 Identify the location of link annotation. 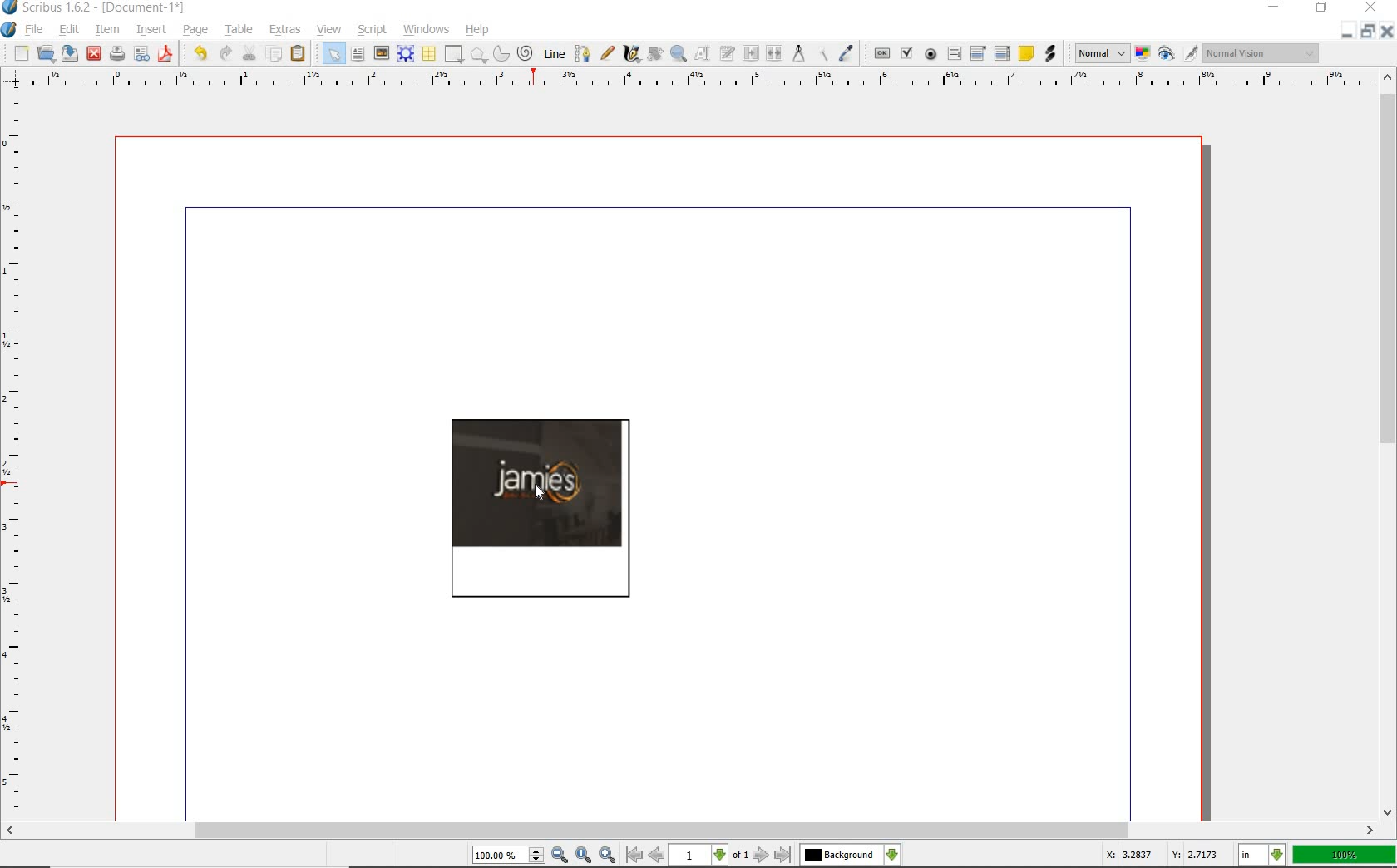
(1050, 52).